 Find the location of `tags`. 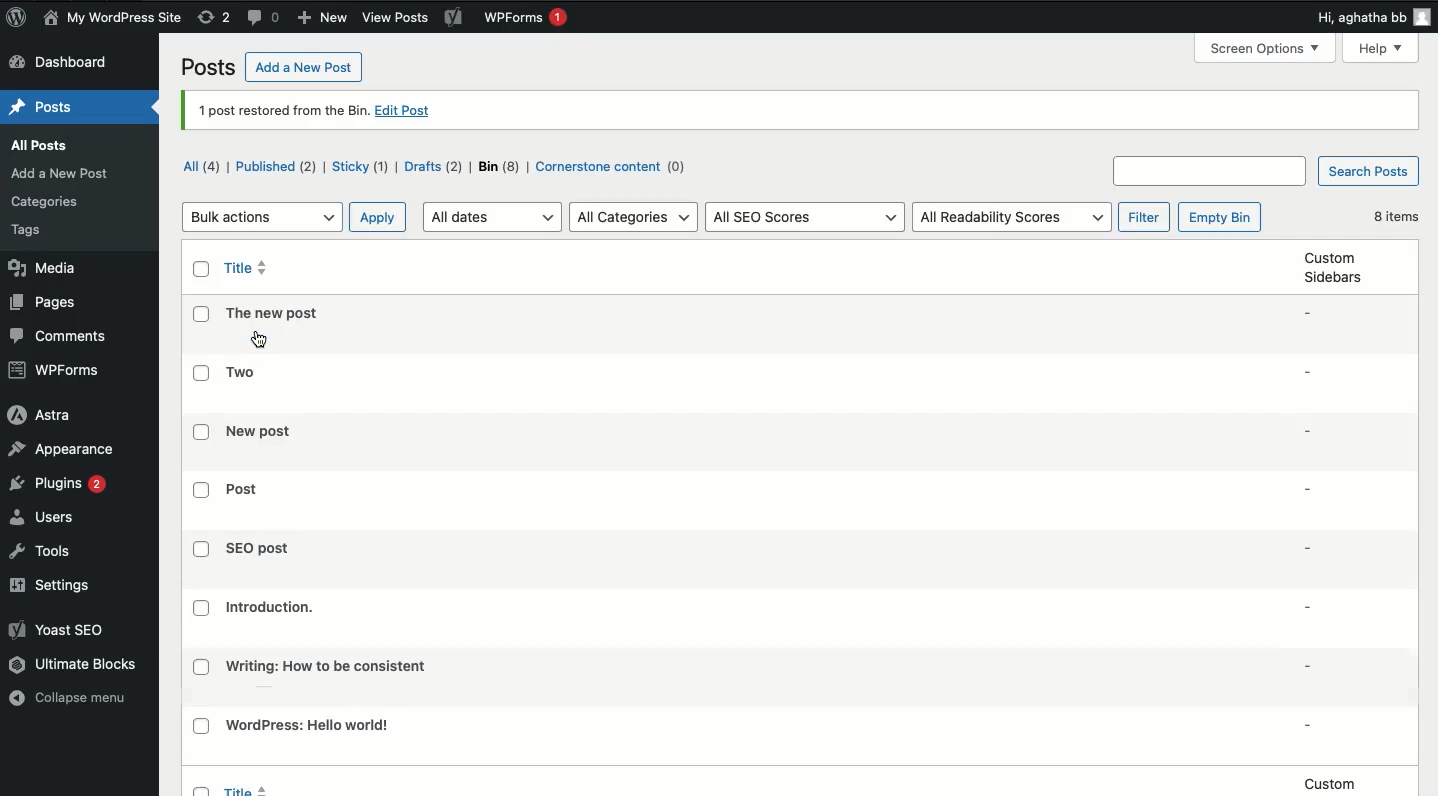

tags is located at coordinates (32, 230).